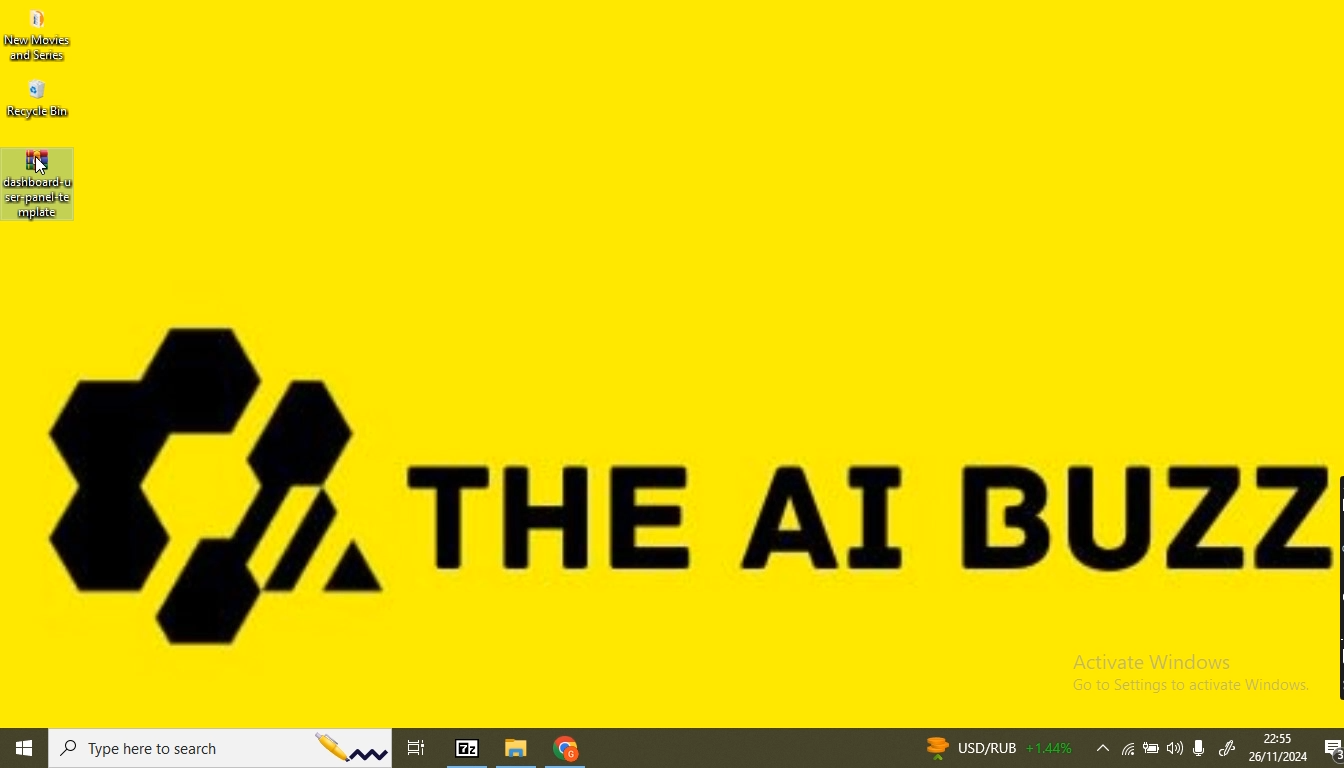  What do you see at coordinates (1129, 751) in the screenshot?
I see `wifi` at bounding box center [1129, 751].